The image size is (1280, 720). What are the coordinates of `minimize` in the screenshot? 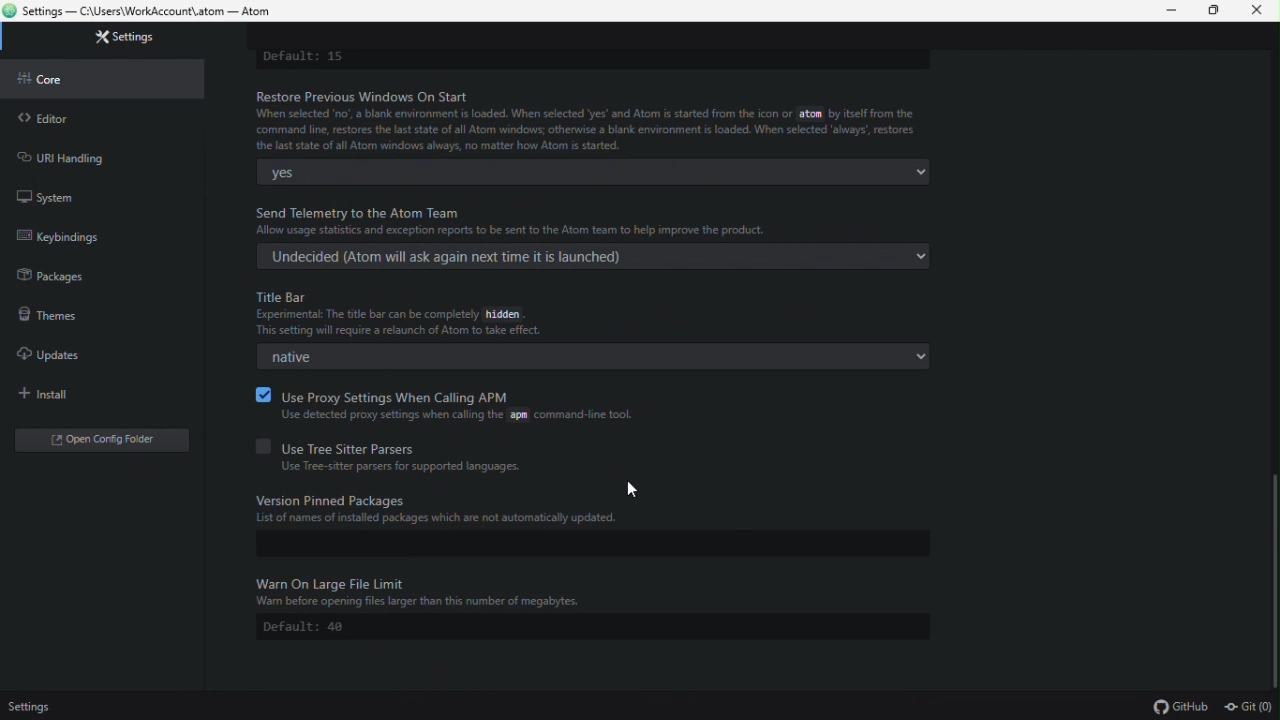 It's located at (1175, 11).